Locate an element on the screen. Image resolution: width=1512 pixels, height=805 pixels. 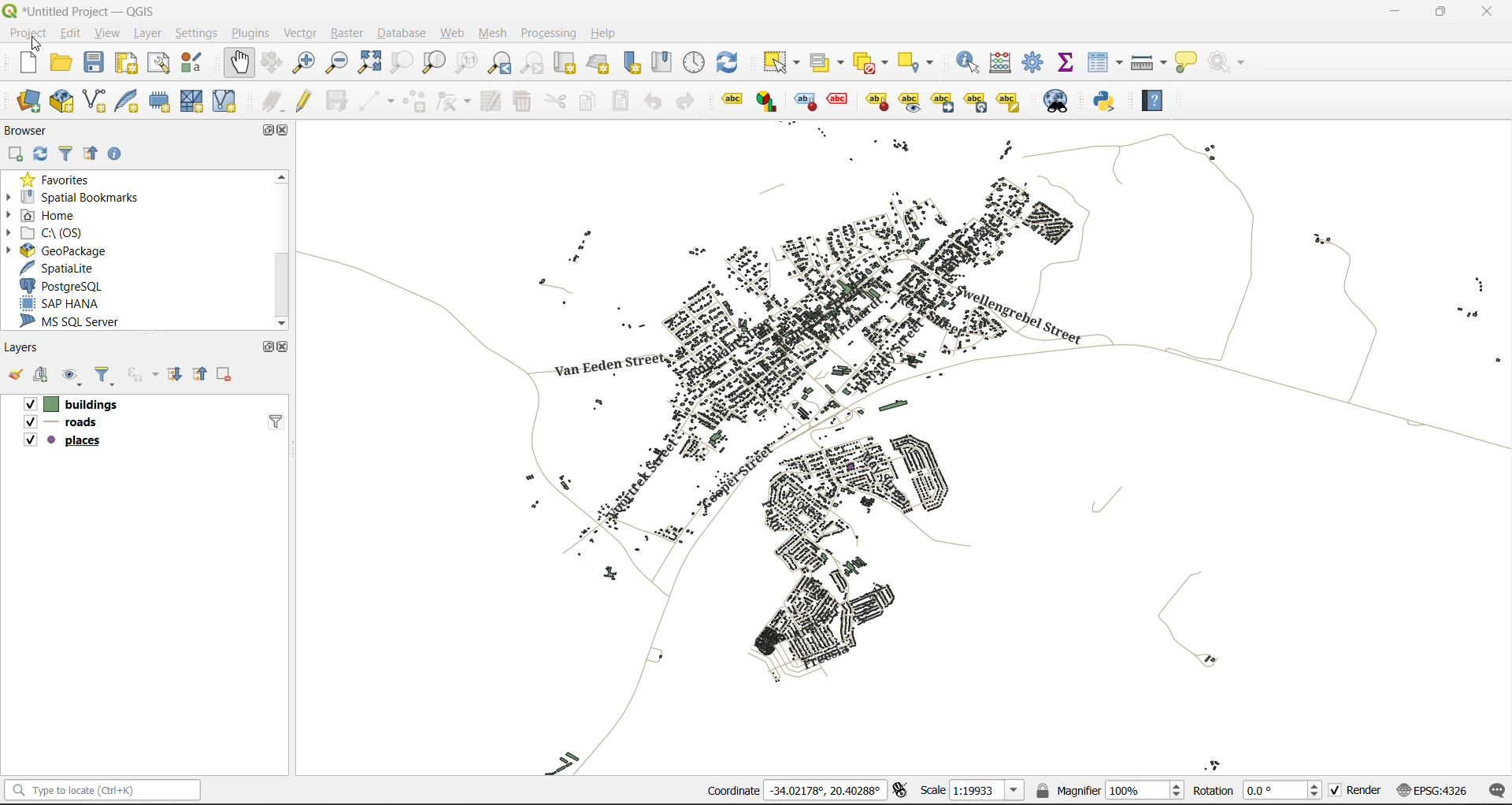
settings is located at coordinates (198, 34).